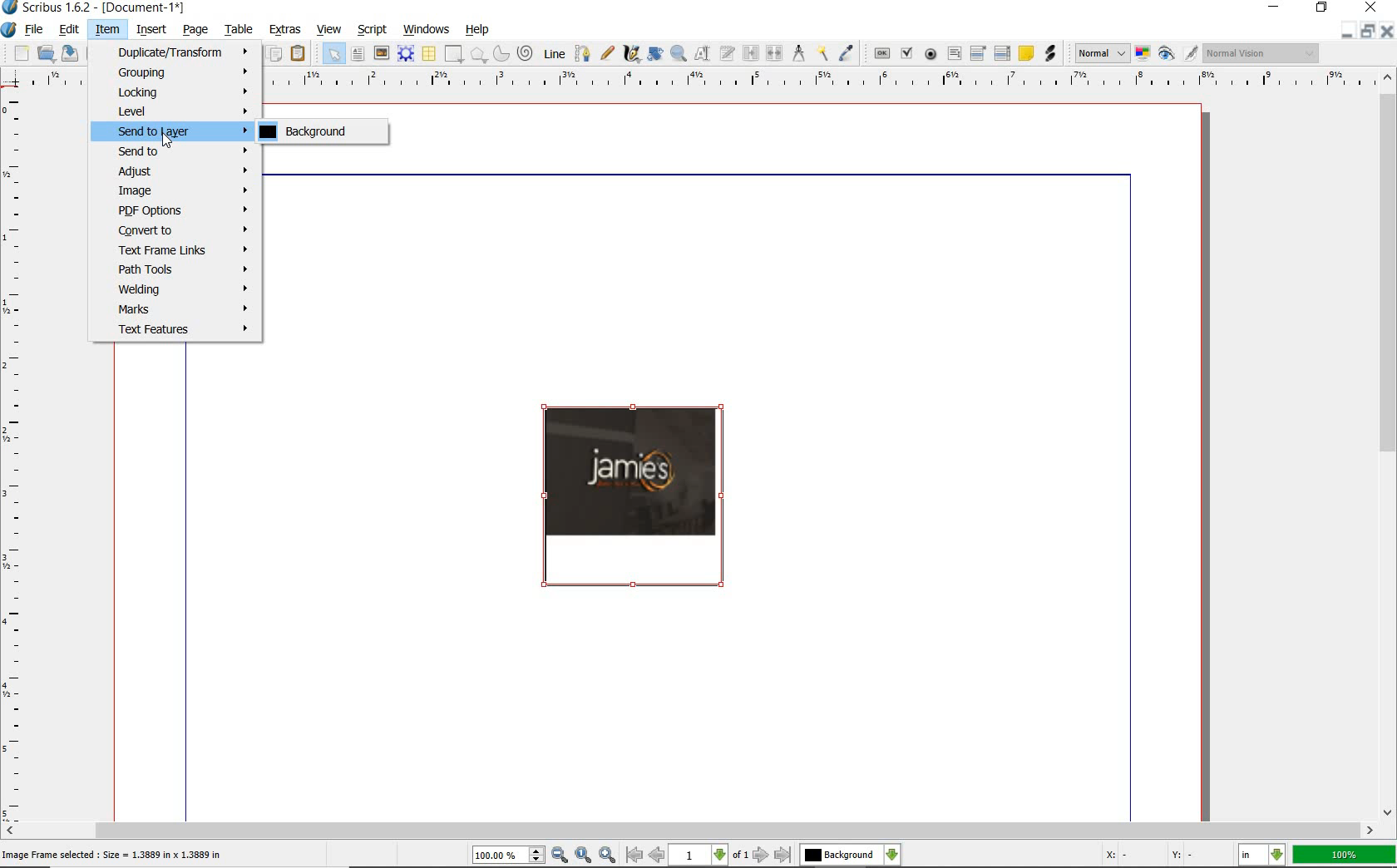 This screenshot has width=1397, height=868. Describe the element at coordinates (430, 55) in the screenshot. I see `table` at that location.